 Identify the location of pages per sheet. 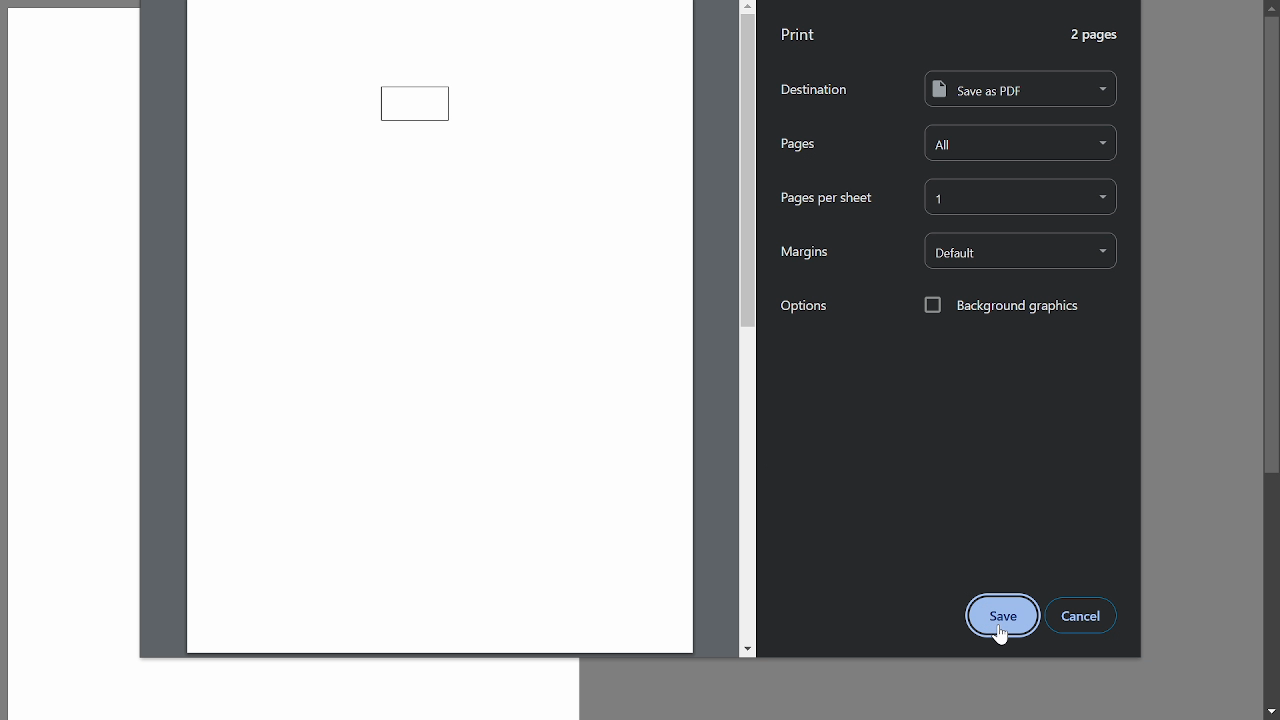
(834, 198).